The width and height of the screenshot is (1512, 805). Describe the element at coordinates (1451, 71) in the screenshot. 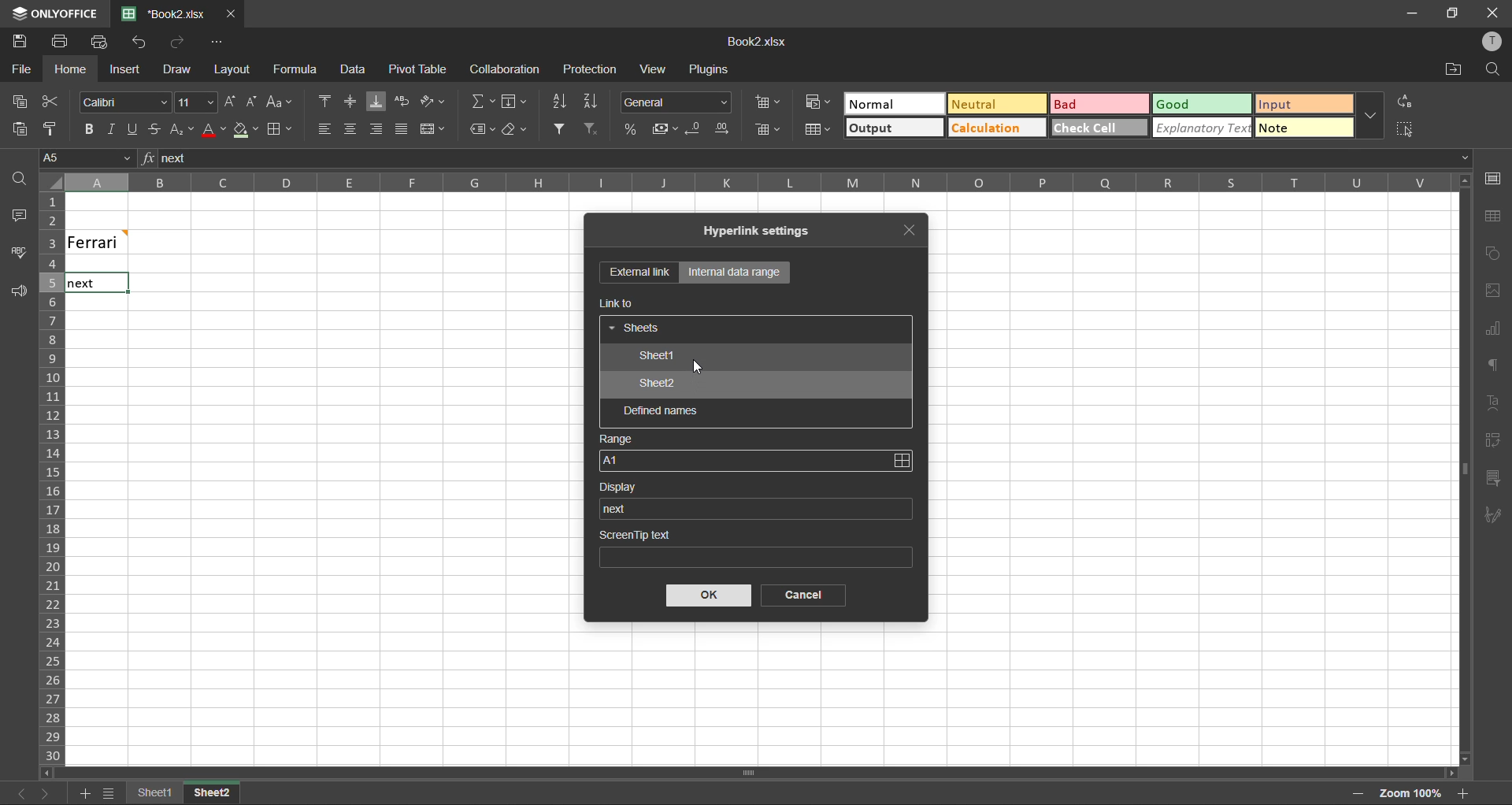

I see `open location` at that location.